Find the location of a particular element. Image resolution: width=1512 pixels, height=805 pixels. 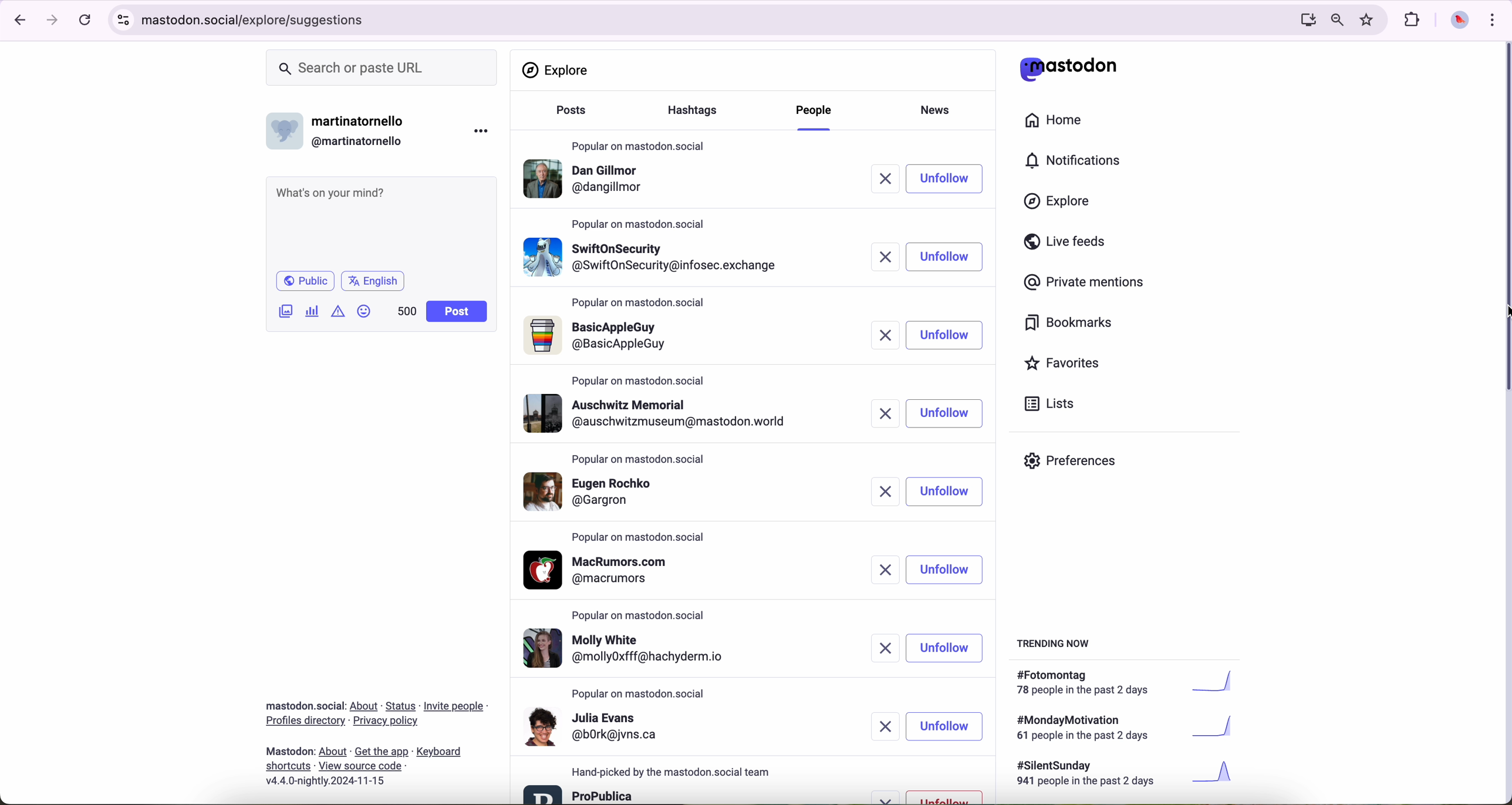

remove is located at coordinates (880, 797).